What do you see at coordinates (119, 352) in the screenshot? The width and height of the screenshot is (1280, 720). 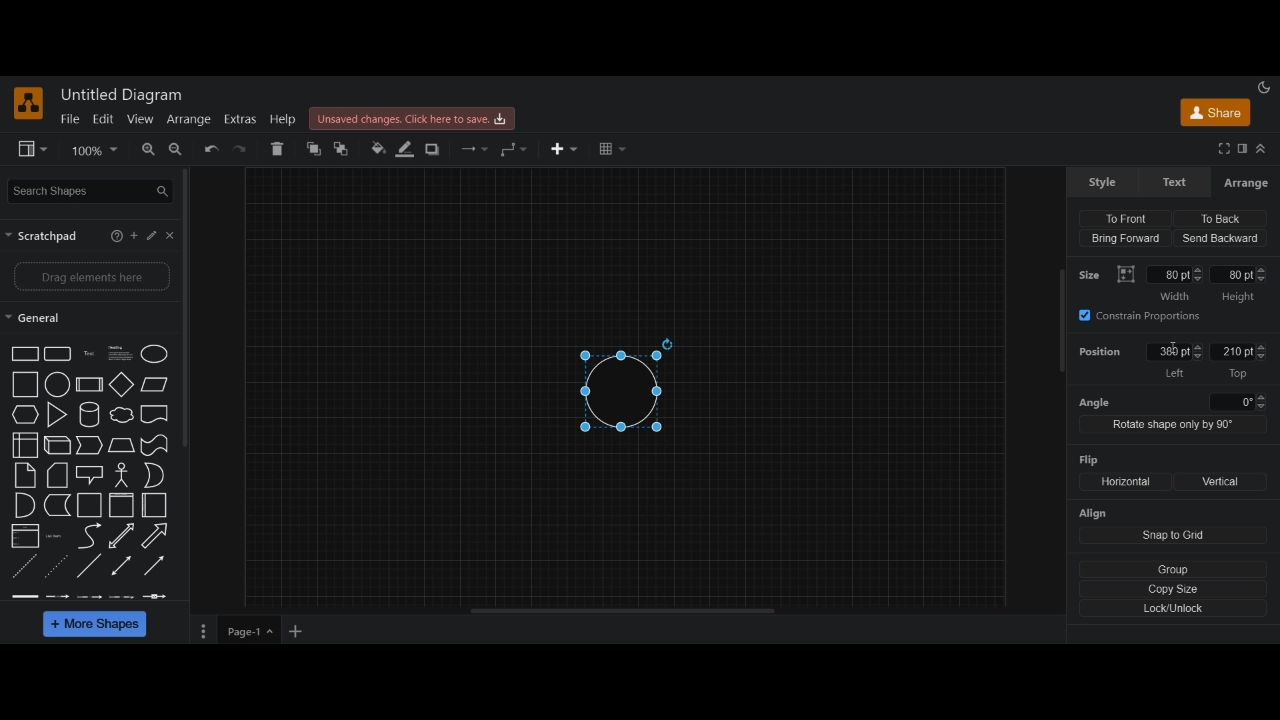 I see `Para` at bounding box center [119, 352].